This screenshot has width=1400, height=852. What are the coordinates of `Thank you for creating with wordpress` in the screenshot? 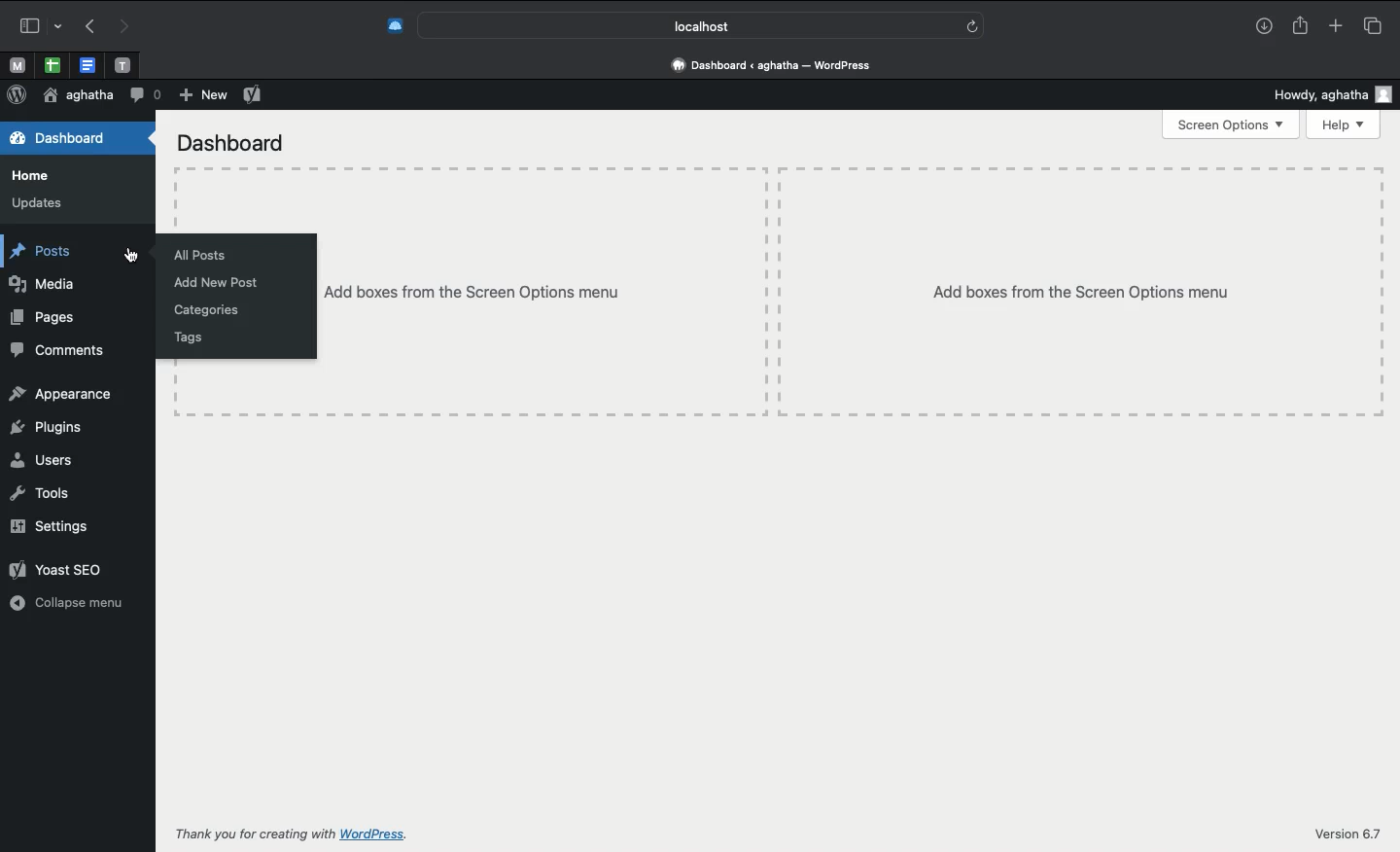 It's located at (322, 834).